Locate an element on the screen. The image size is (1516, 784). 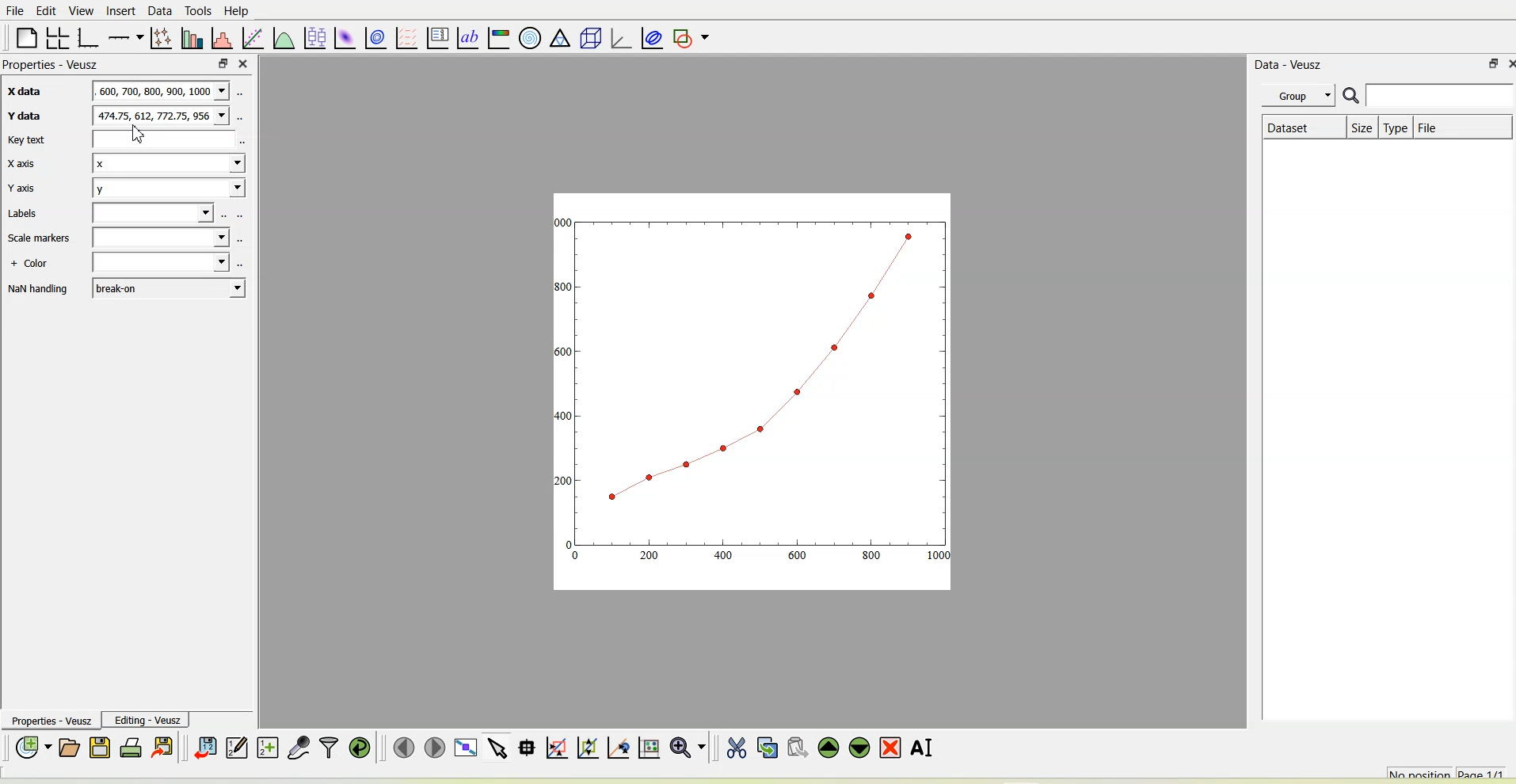
3d graph is located at coordinates (619, 36).